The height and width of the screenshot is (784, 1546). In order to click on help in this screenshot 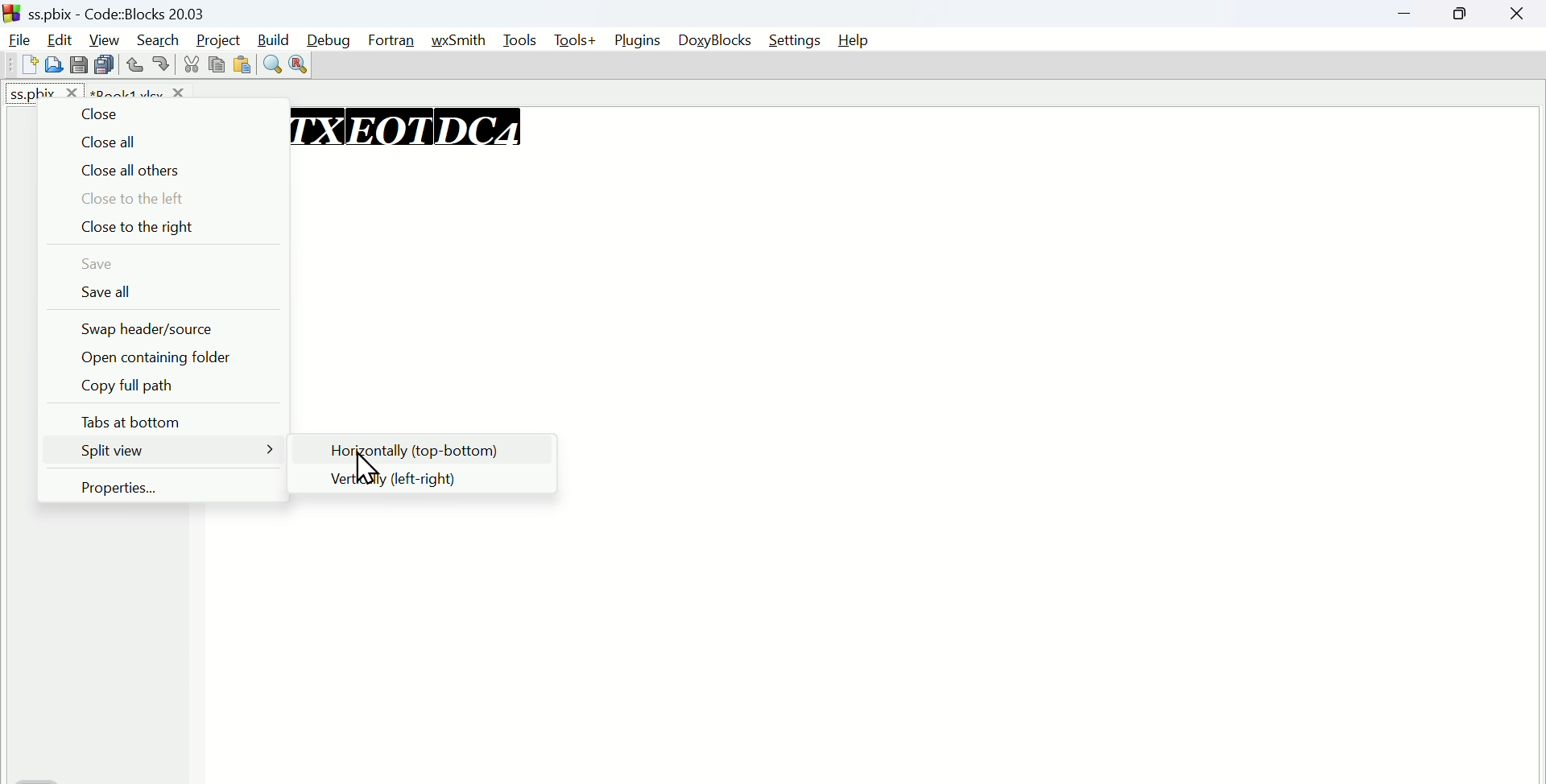, I will do `click(853, 41)`.